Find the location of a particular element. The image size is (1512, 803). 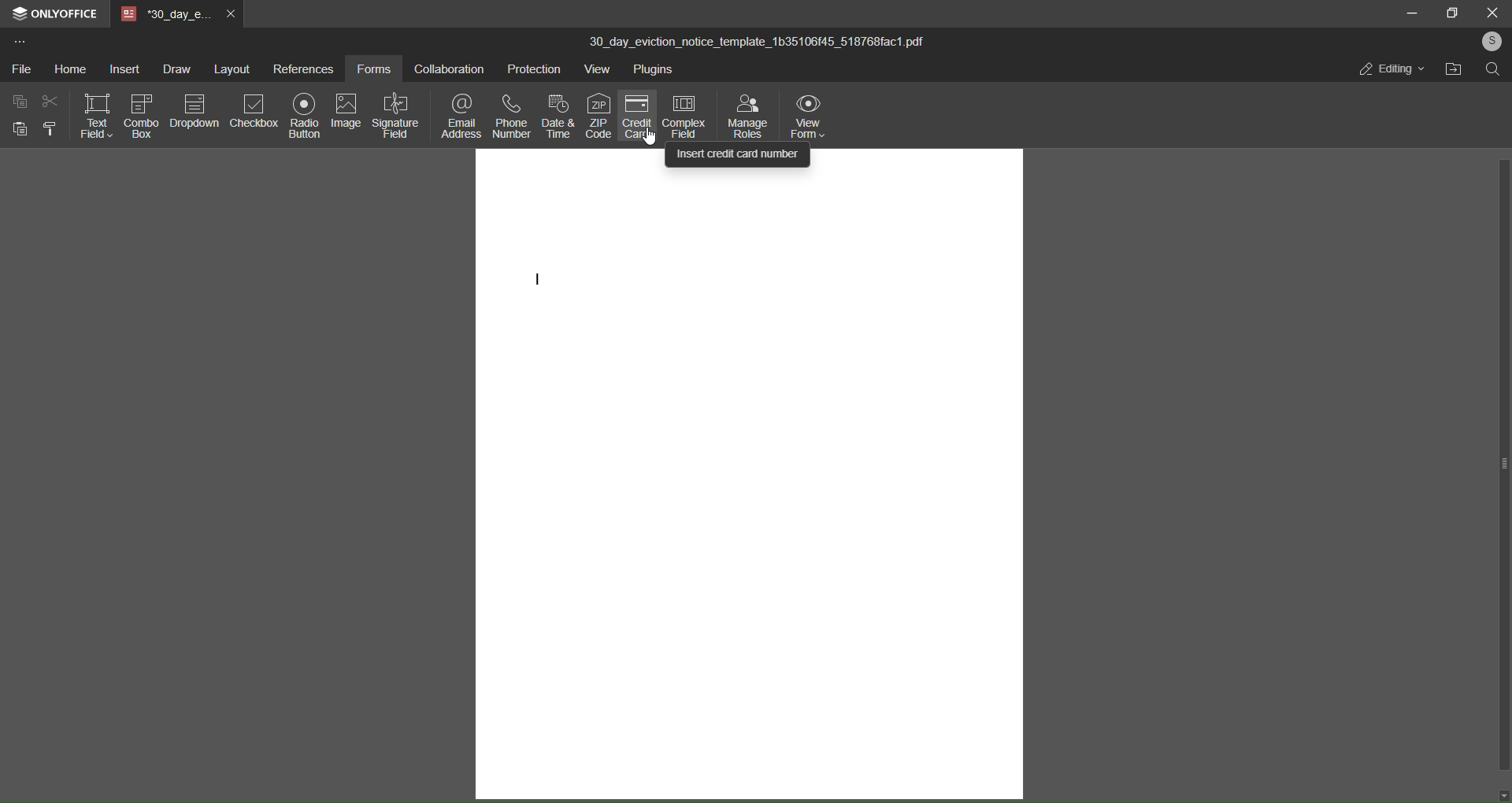

cut is located at coordinates (49, 101).